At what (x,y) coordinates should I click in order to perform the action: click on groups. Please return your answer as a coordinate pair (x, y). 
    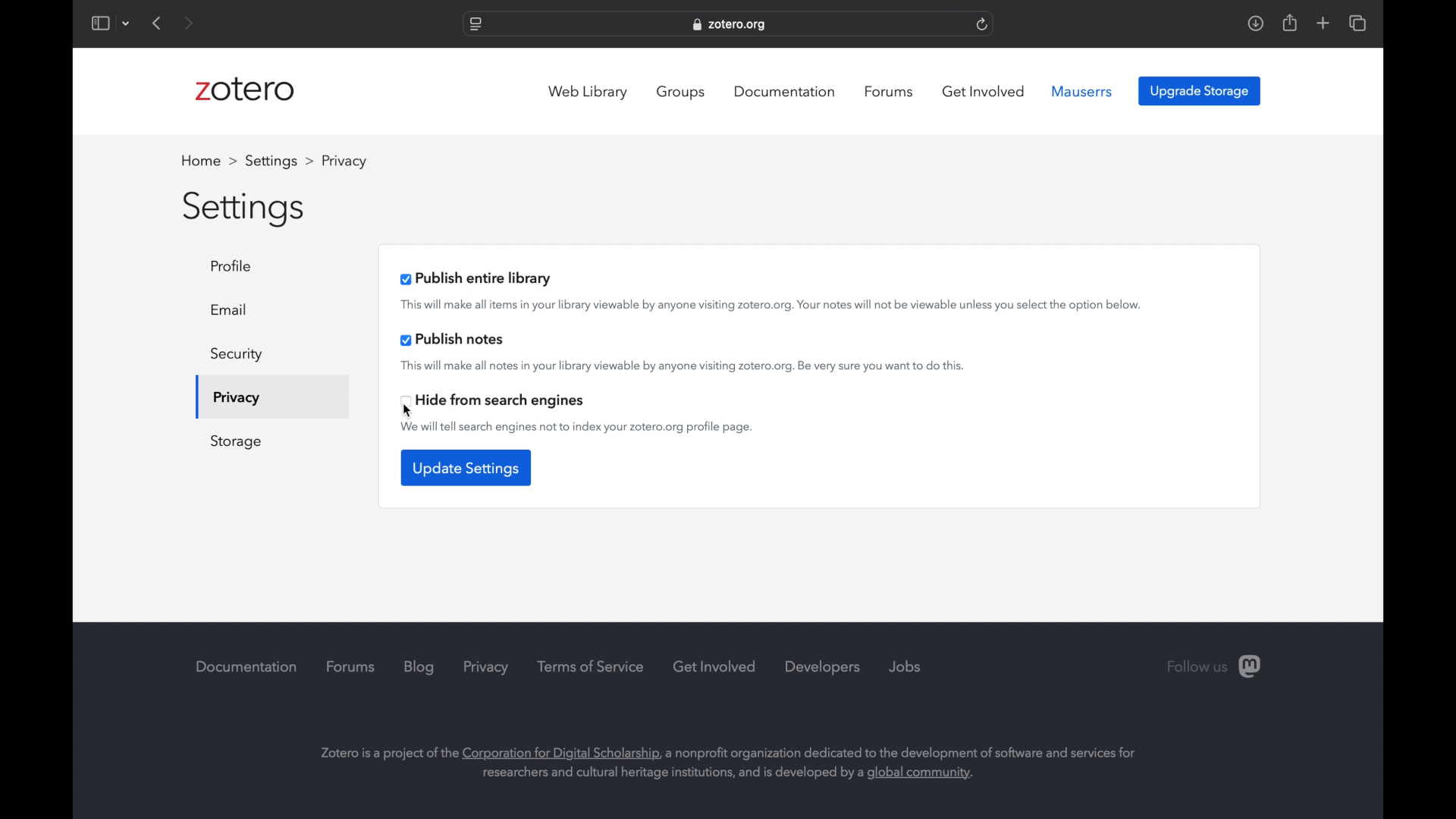
    Looking at the image, I should click on (682, 92).